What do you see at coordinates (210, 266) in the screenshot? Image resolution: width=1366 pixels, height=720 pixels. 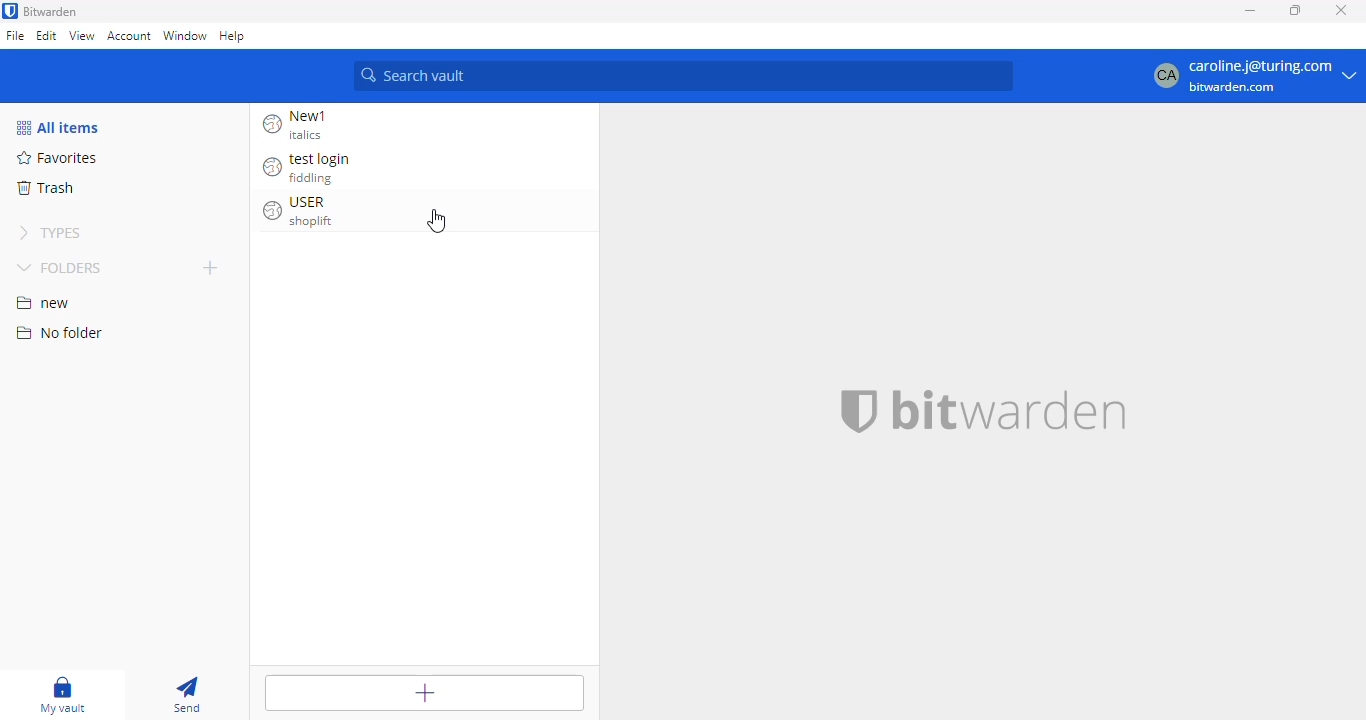 I see `new folder` at bounding box center [210, 266].